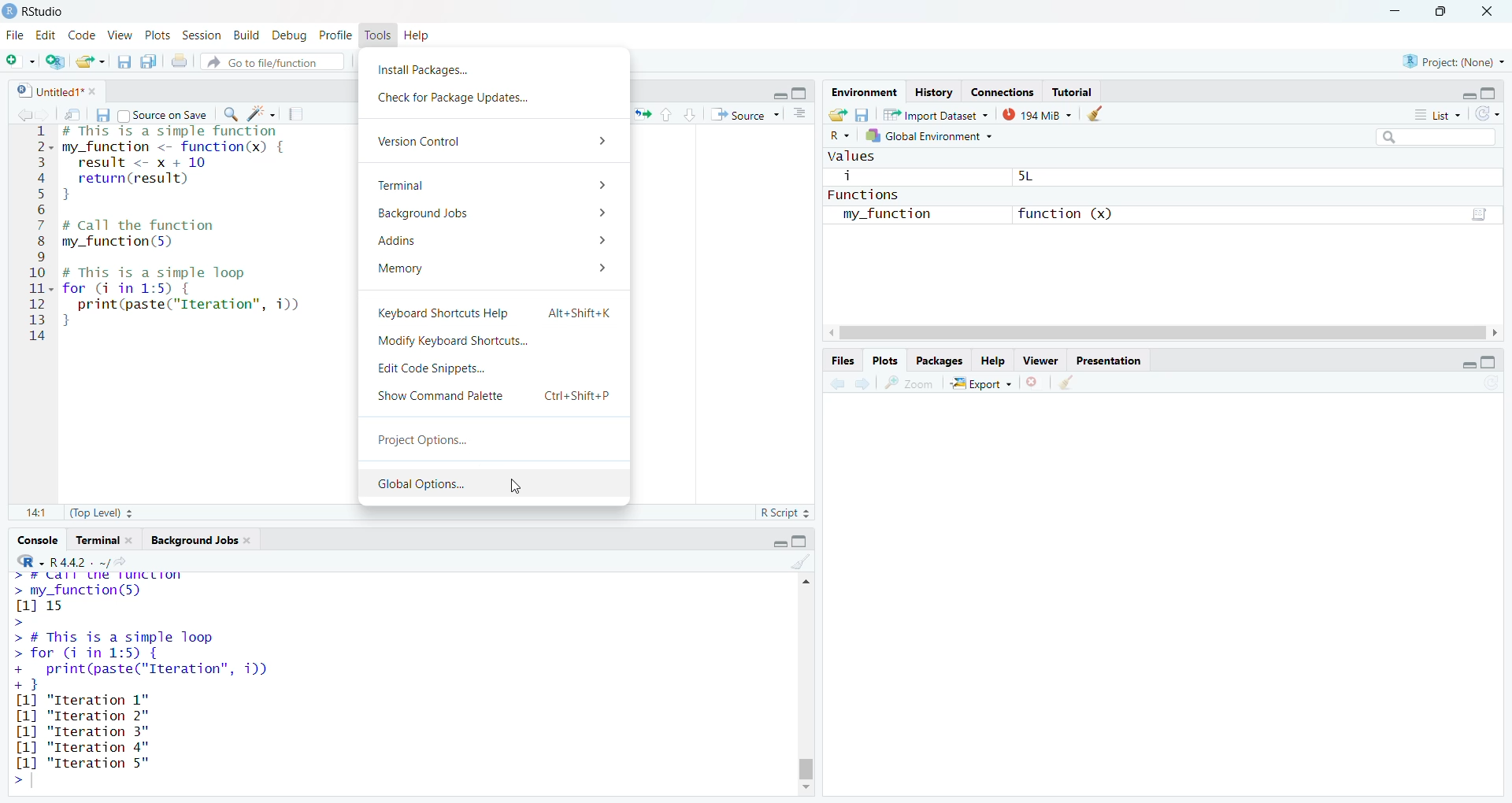 The height and width of the screenshot is (803, 1512). I want to click on connections, so click(1001, 90).